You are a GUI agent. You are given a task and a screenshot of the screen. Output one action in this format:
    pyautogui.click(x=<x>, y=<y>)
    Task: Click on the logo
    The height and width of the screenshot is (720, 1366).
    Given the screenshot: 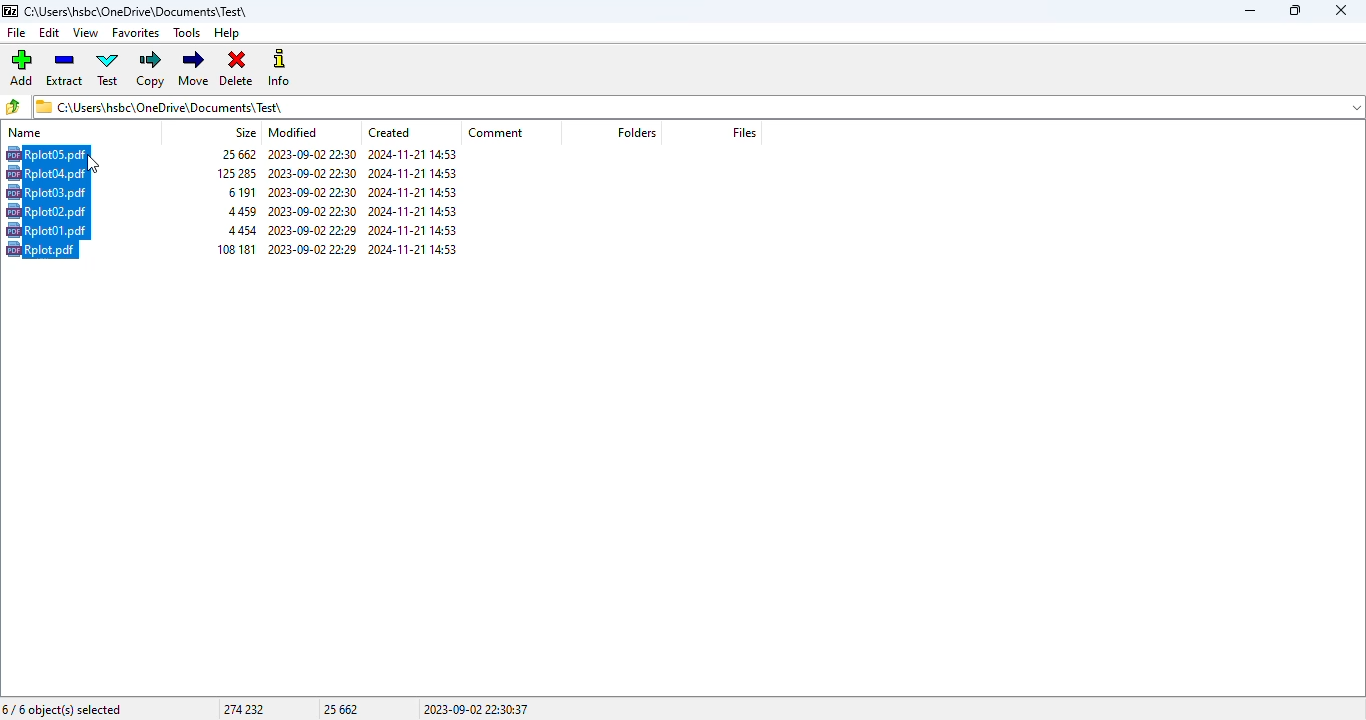 What is the action you would take?
    pyautogui.click(x=10, y=11)
    